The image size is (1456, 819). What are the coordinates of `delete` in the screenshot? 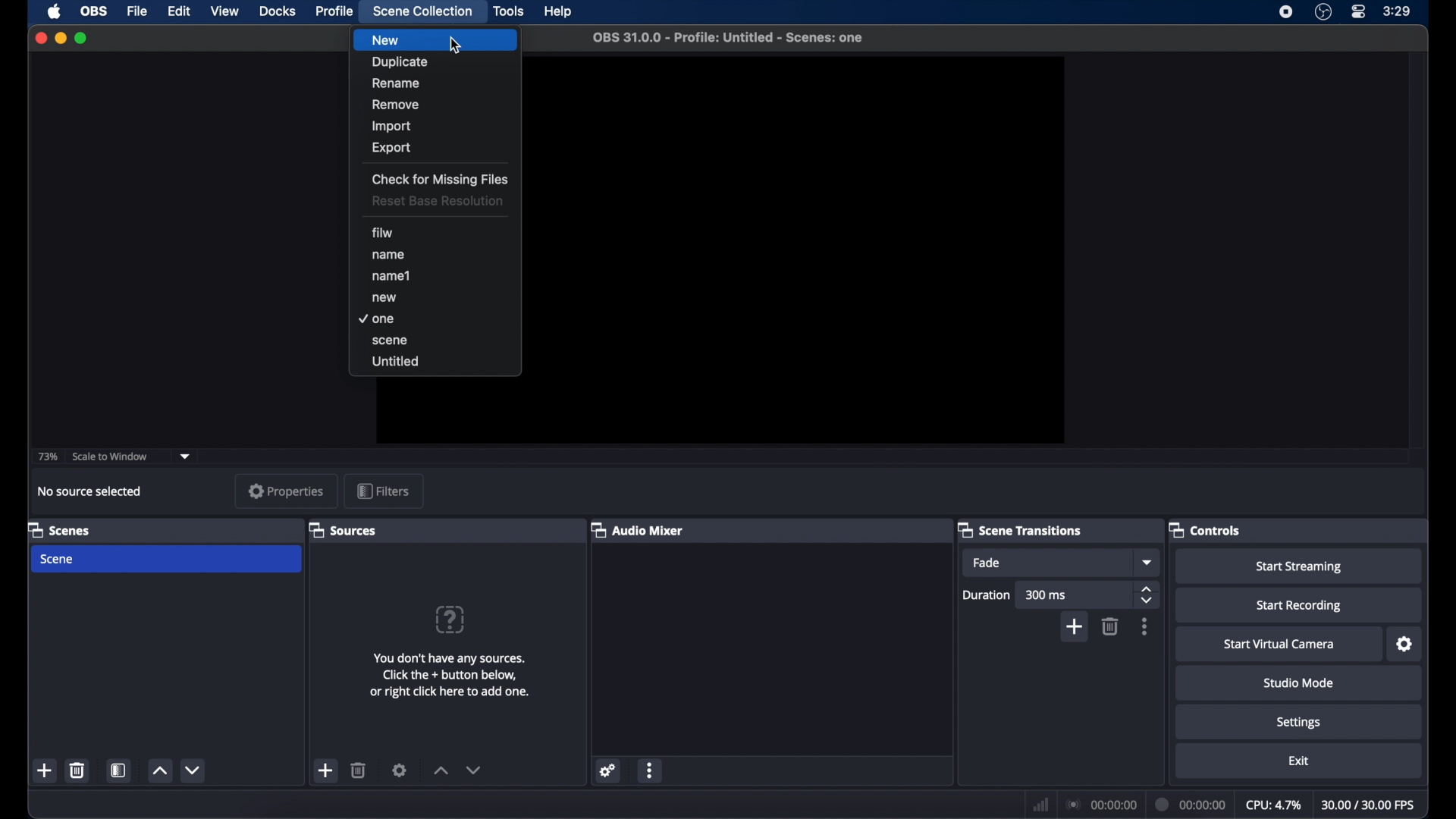 It's located at (359, 770).